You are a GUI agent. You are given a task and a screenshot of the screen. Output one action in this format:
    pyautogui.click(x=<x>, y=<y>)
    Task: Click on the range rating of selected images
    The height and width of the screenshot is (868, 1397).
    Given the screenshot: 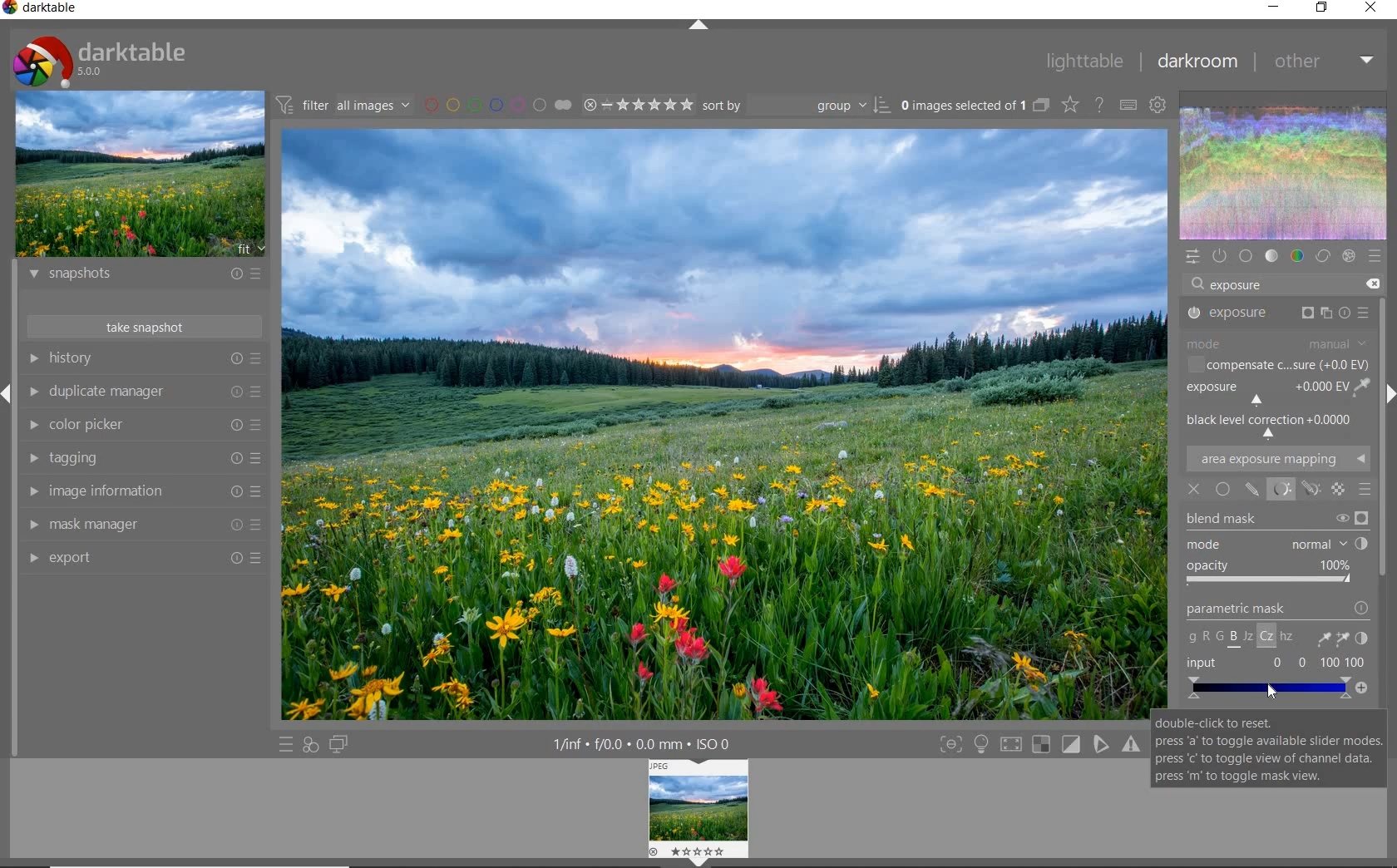 What is the action you would take?
    pyautogui.click(x=640, y=106)
    